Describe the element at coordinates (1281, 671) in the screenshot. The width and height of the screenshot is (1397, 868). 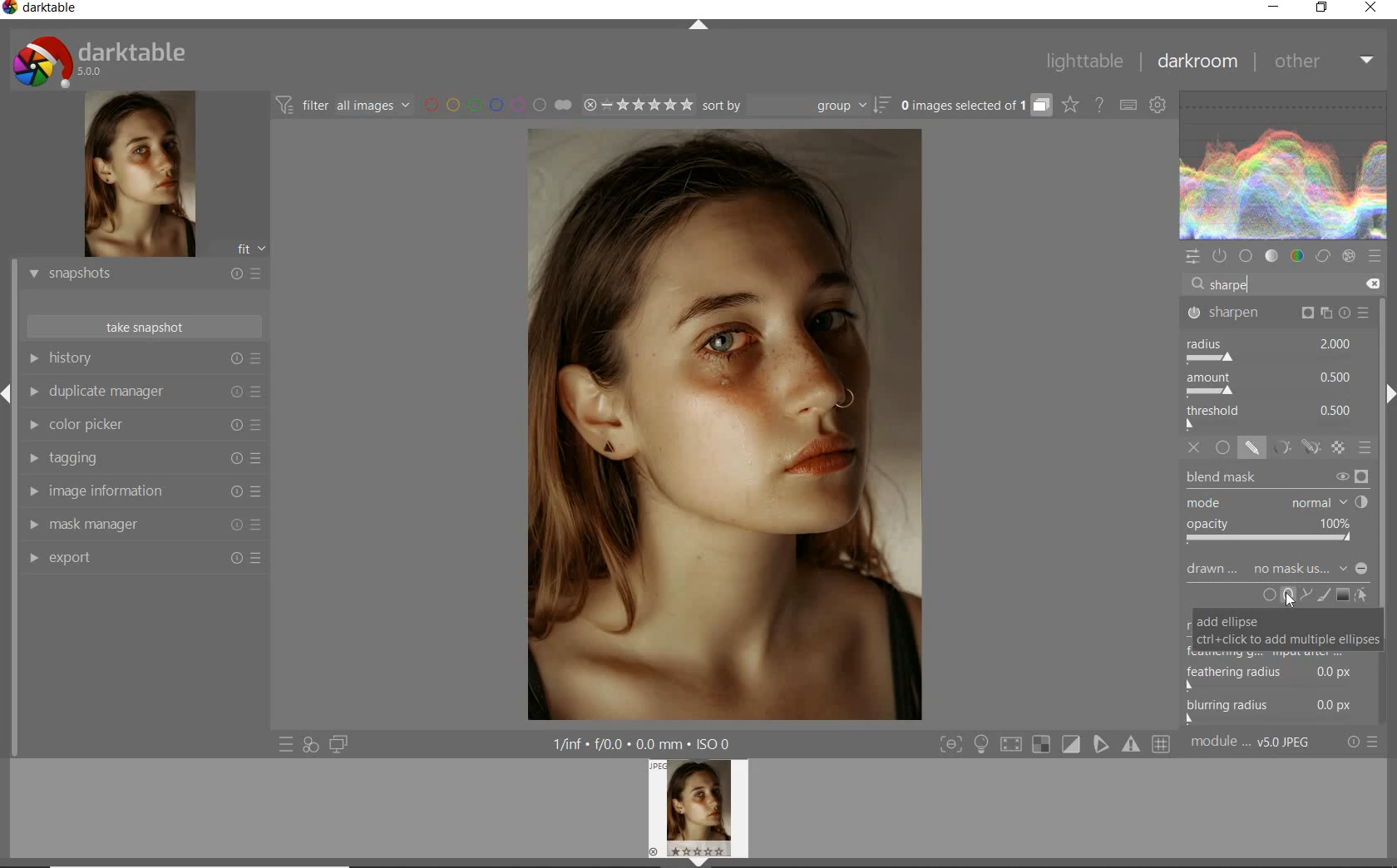
I see `FEATHERING RADIUS` at that location.